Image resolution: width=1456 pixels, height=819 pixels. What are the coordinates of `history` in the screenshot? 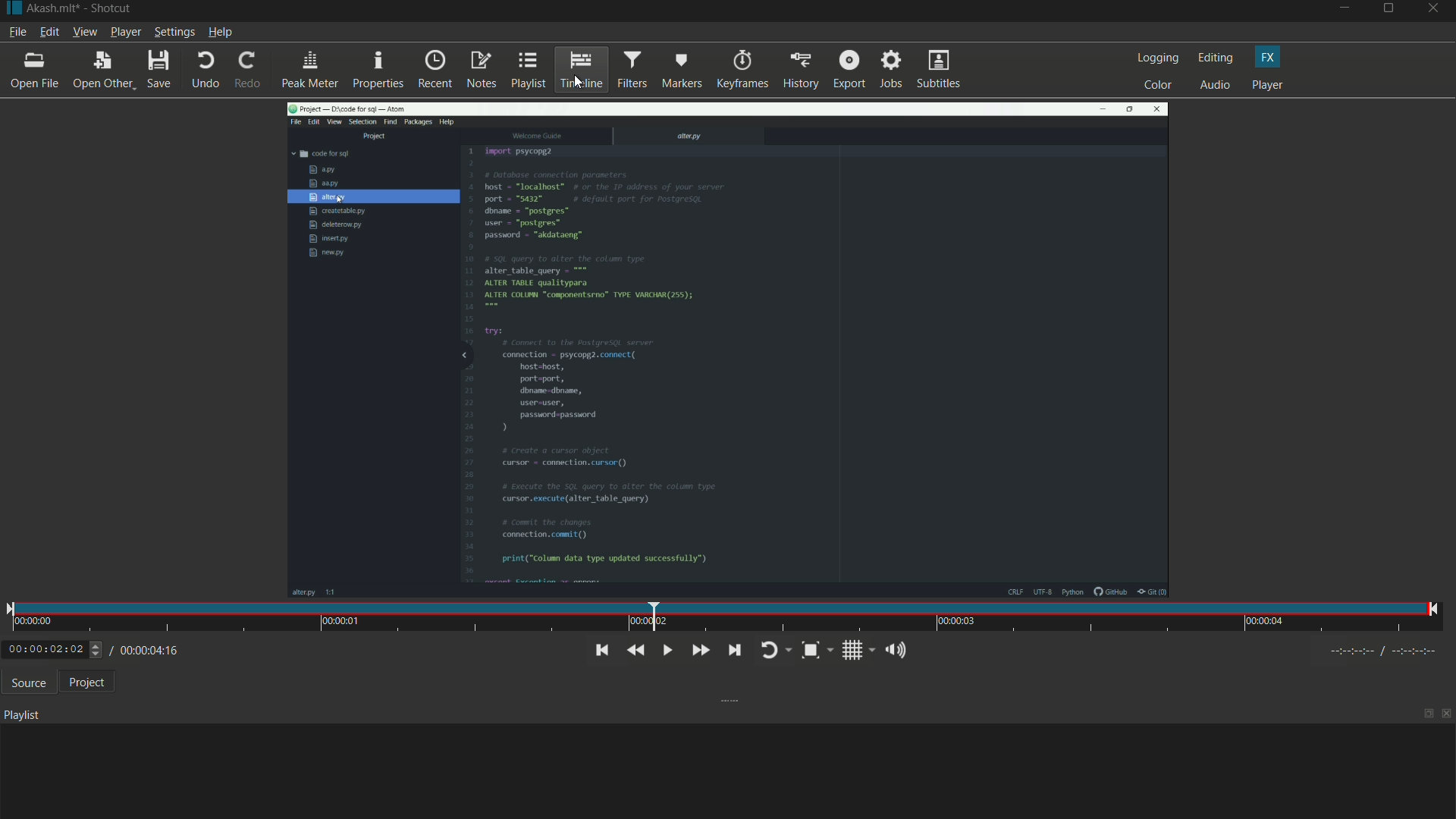 It's located at (800, 71).